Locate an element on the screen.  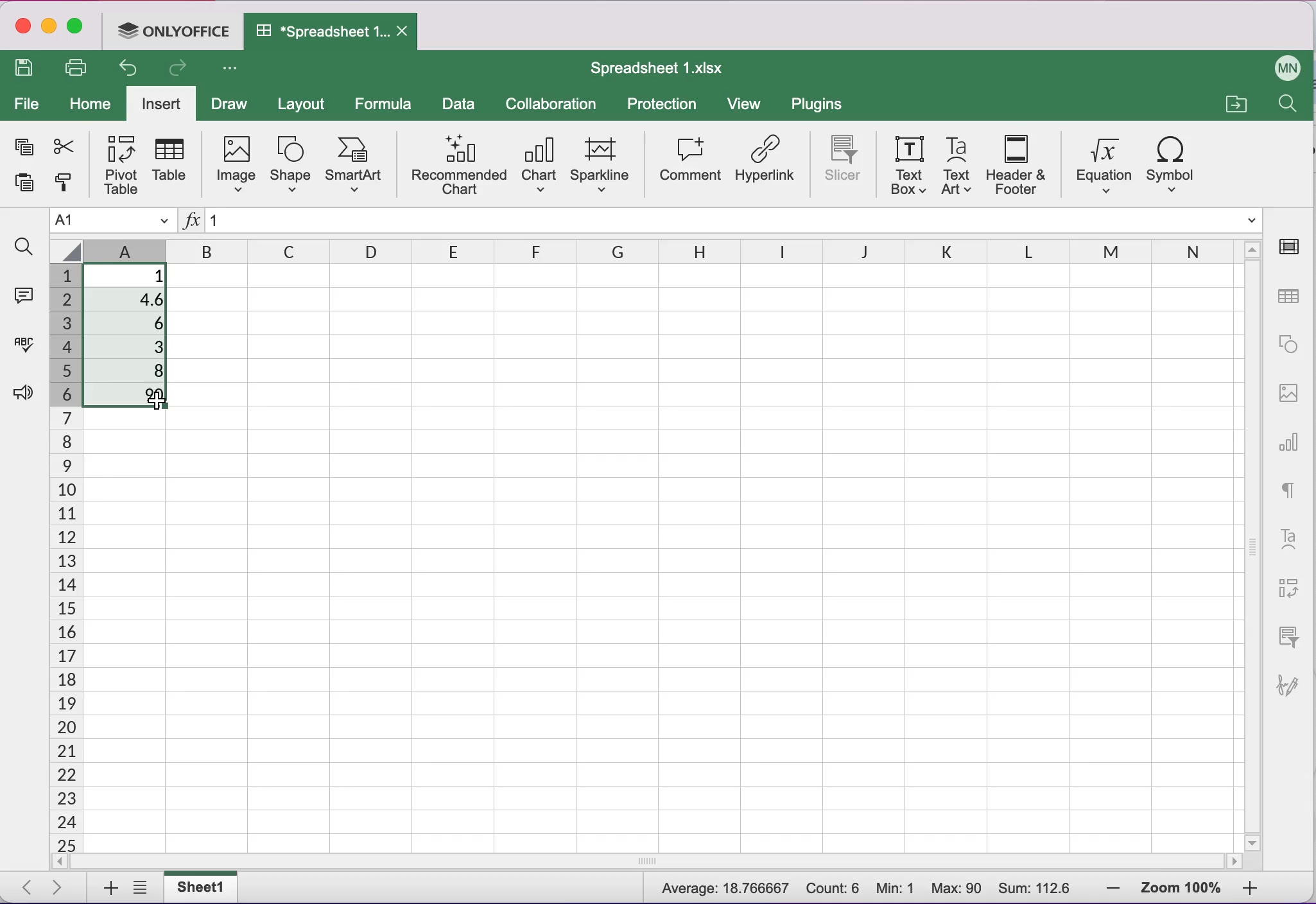
1 is located at coordinates (126, 275).